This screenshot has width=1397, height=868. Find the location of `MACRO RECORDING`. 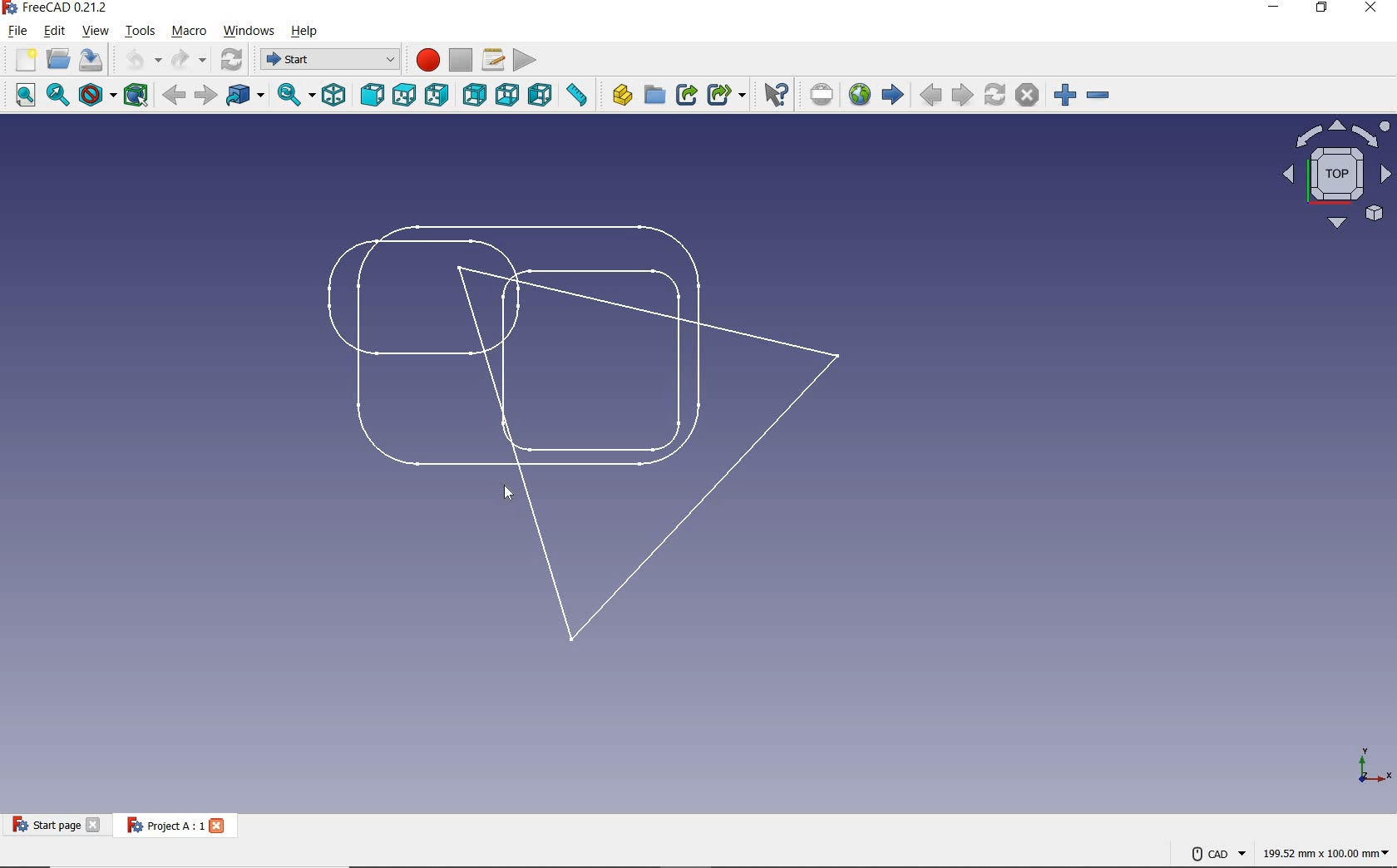

MACRO RECORDING is located at coordinates (423, 58).